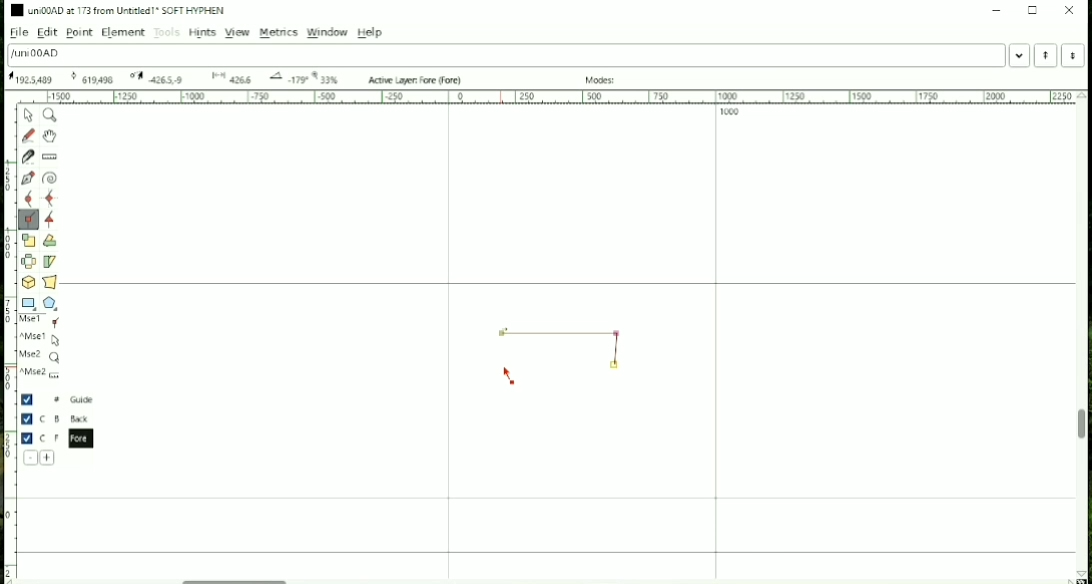 The image size is (1092, 584). Describe the element at coordinates (79, 33) in the screenshot. I see `Point` at that location.